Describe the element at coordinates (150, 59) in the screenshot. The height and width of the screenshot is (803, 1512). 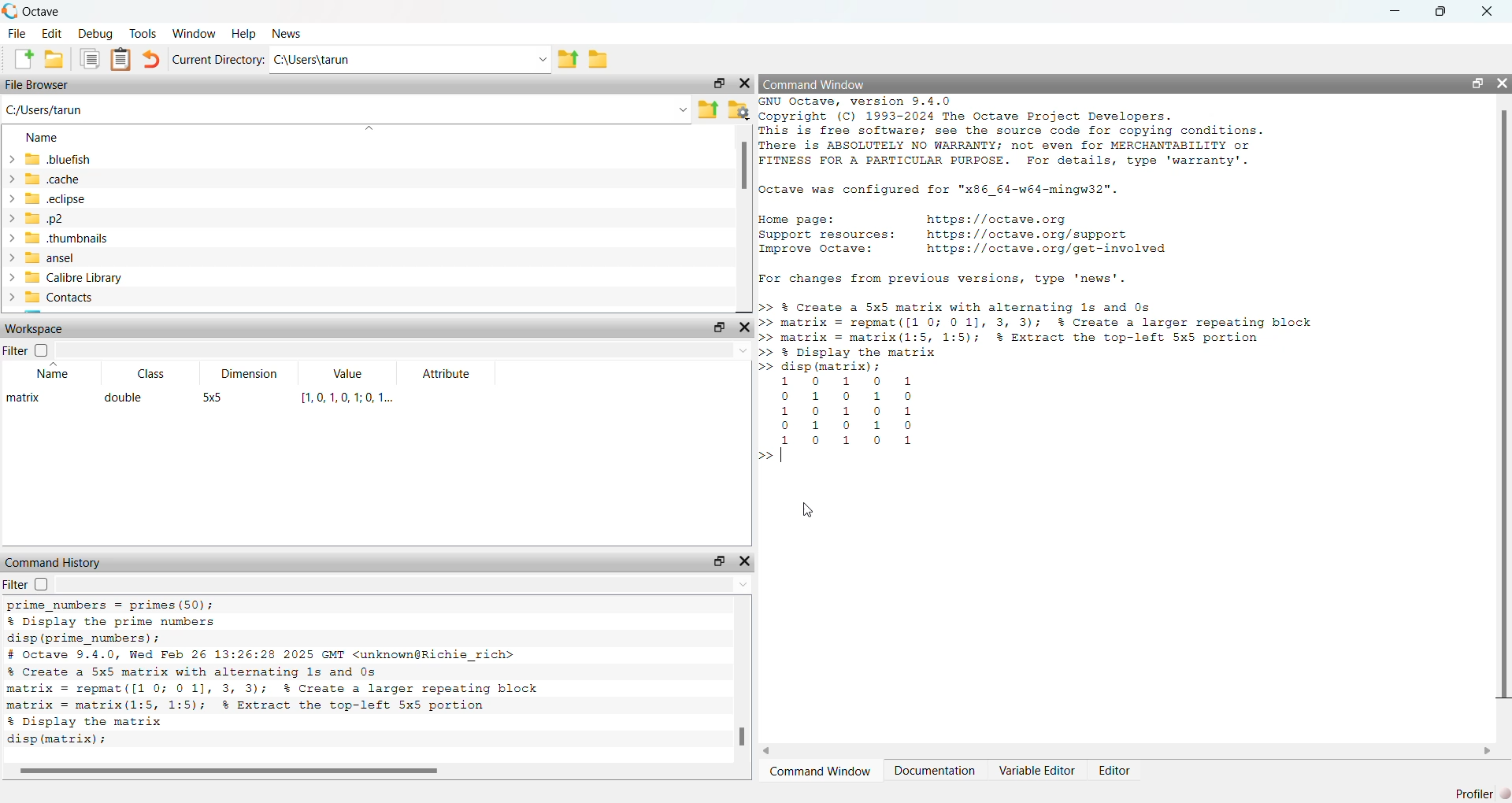
I see `undo` at that location.